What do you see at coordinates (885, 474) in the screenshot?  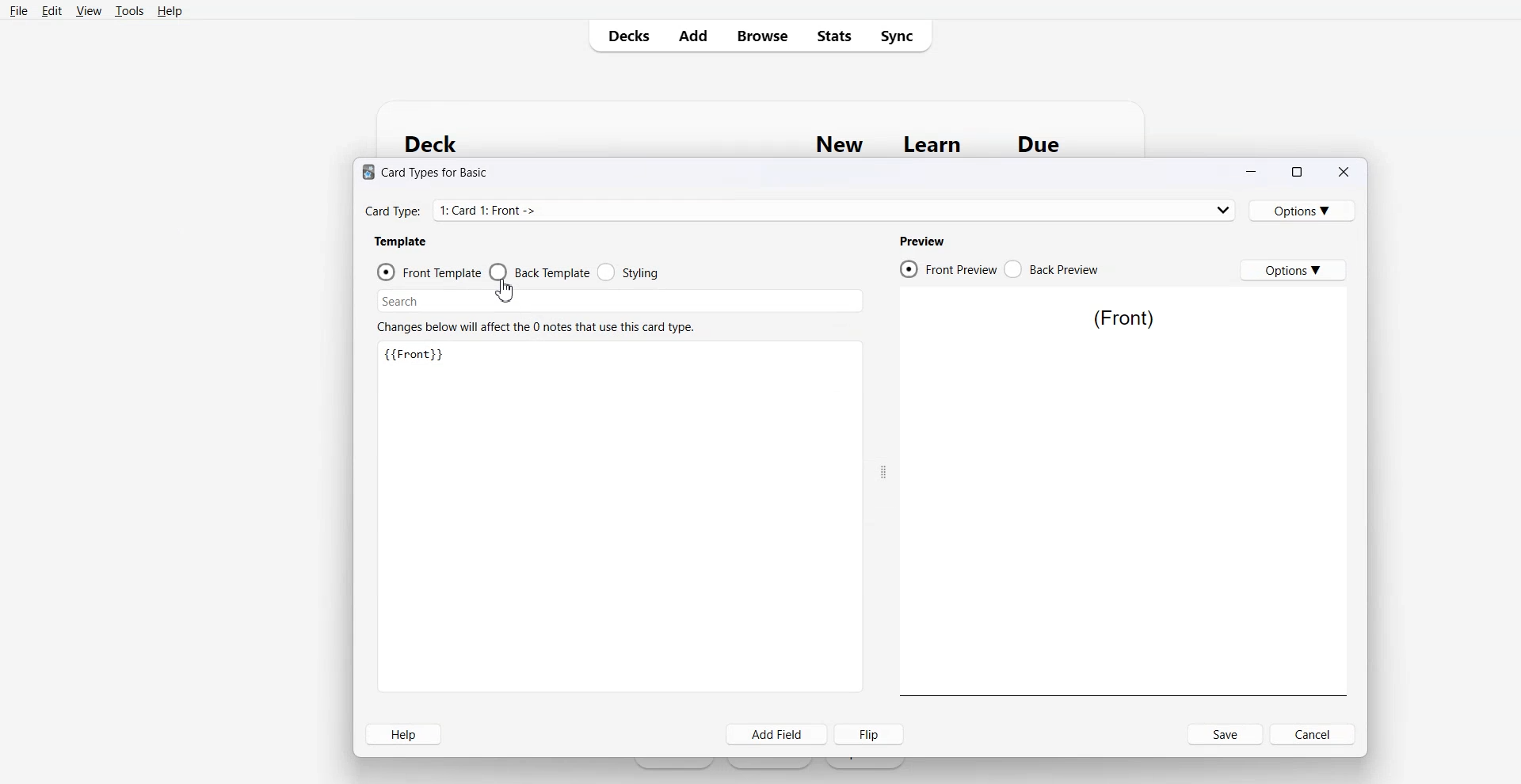 I see `Drag handle` at bounding box center [885, 474].